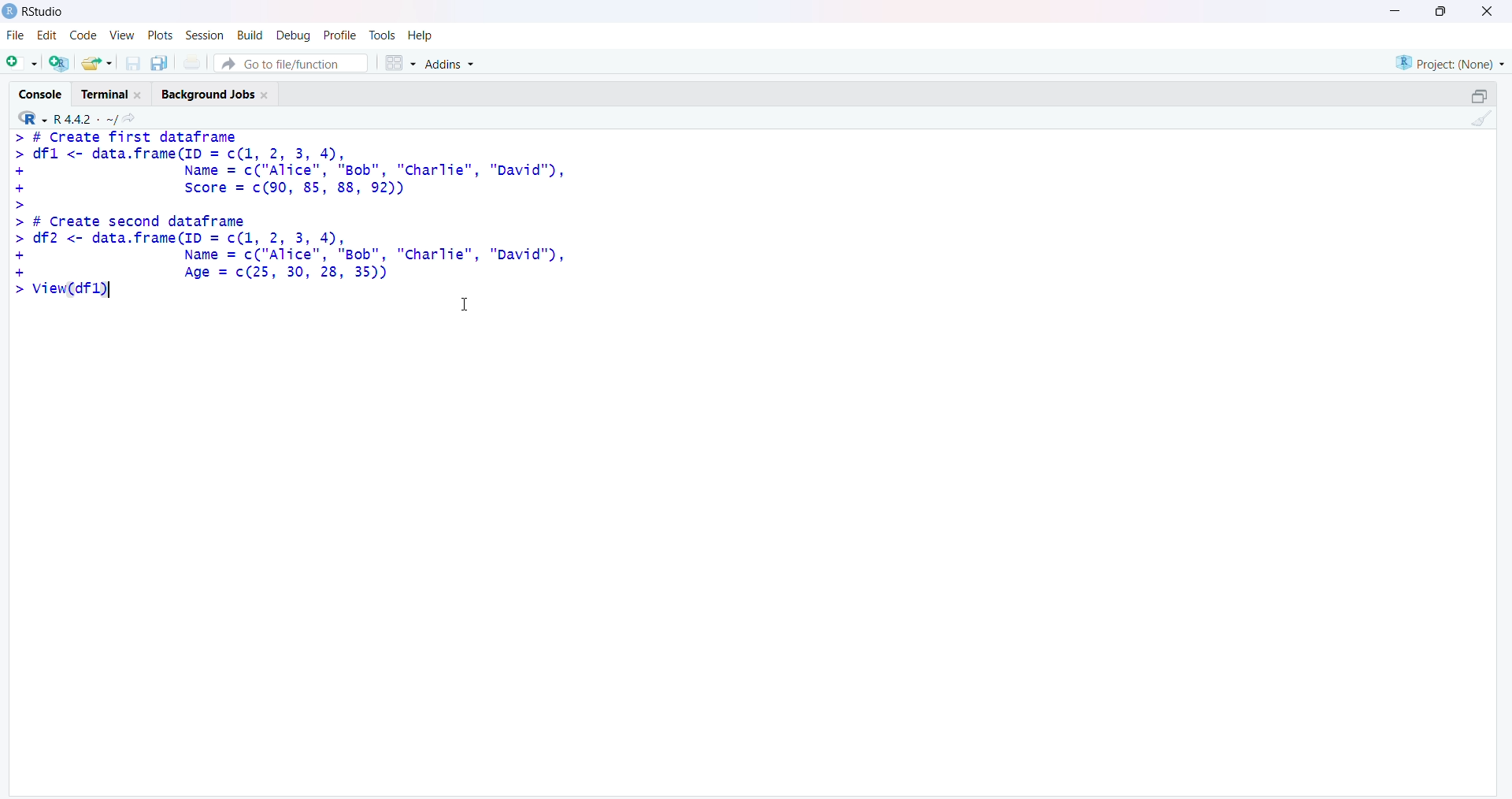 This screenshot has height=799, width=1512. What do you see at coordinates (1483, 118) in the screenshot?
I see `clean` at bounding box center [1483, 118].